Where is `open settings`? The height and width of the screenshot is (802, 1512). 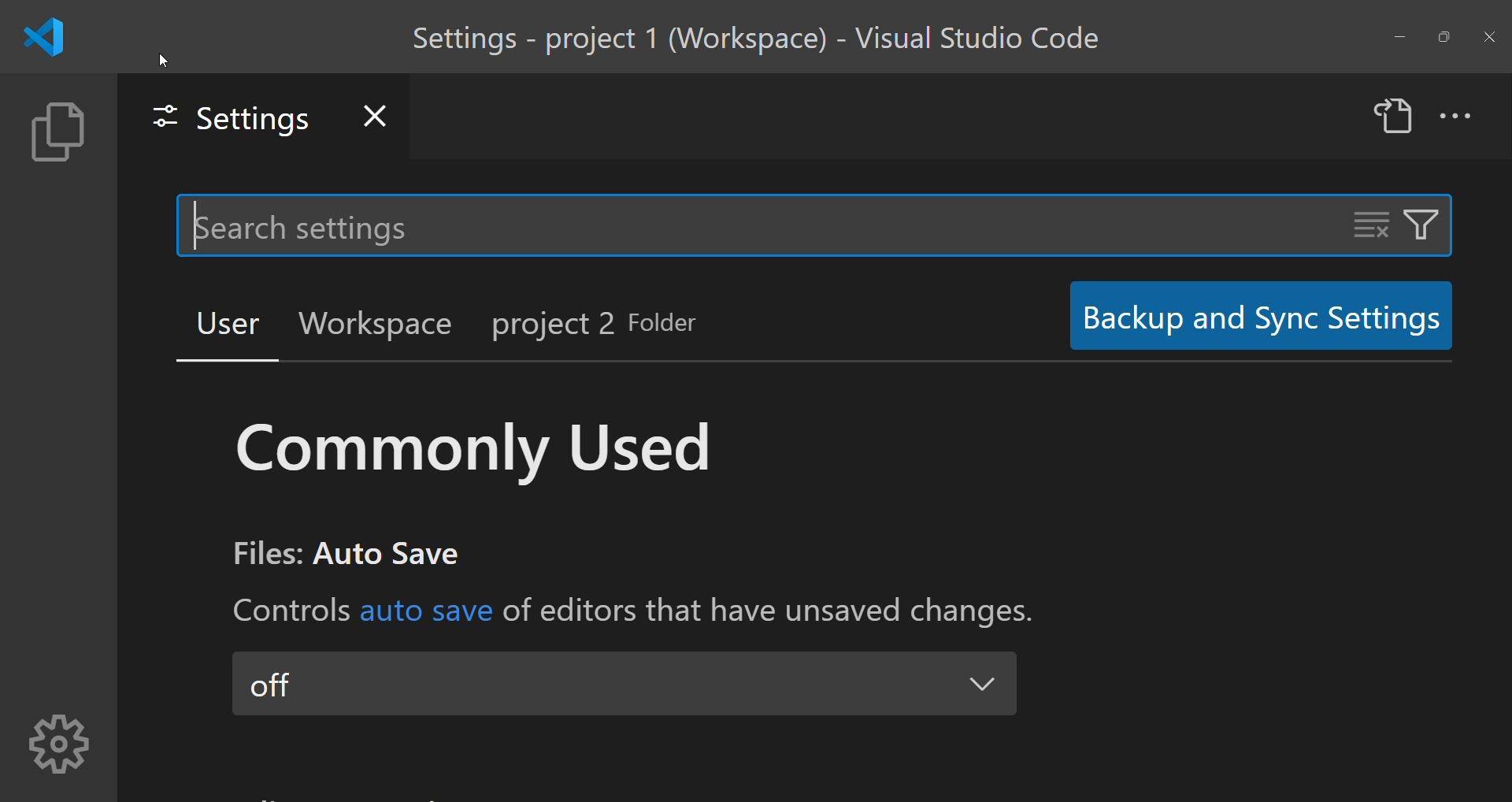
open settings is located at coordinates (1392, 118).